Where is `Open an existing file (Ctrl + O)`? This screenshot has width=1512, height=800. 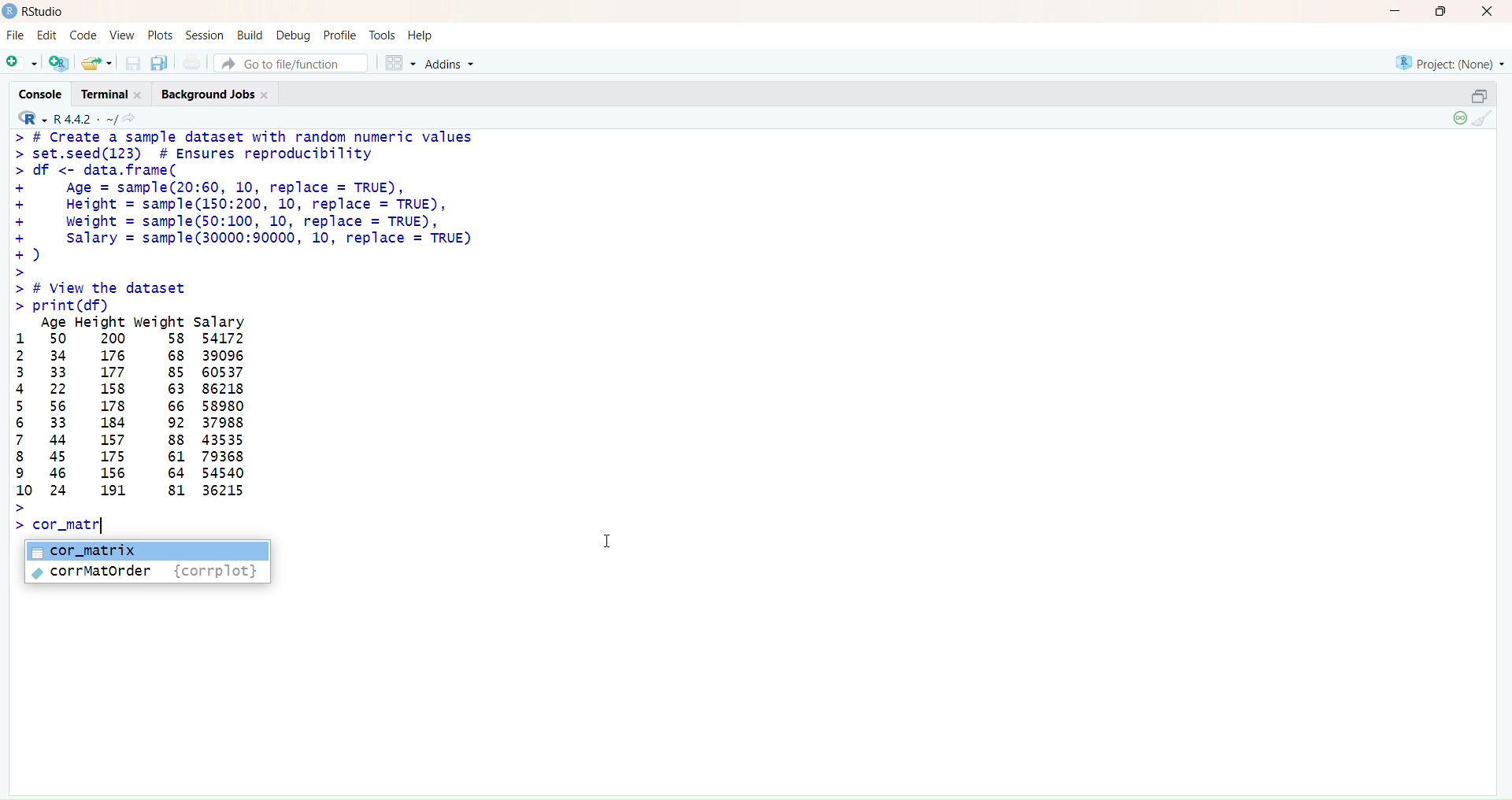 Open an existing file (Ctrl + O) is located at coordinates (95, 62).